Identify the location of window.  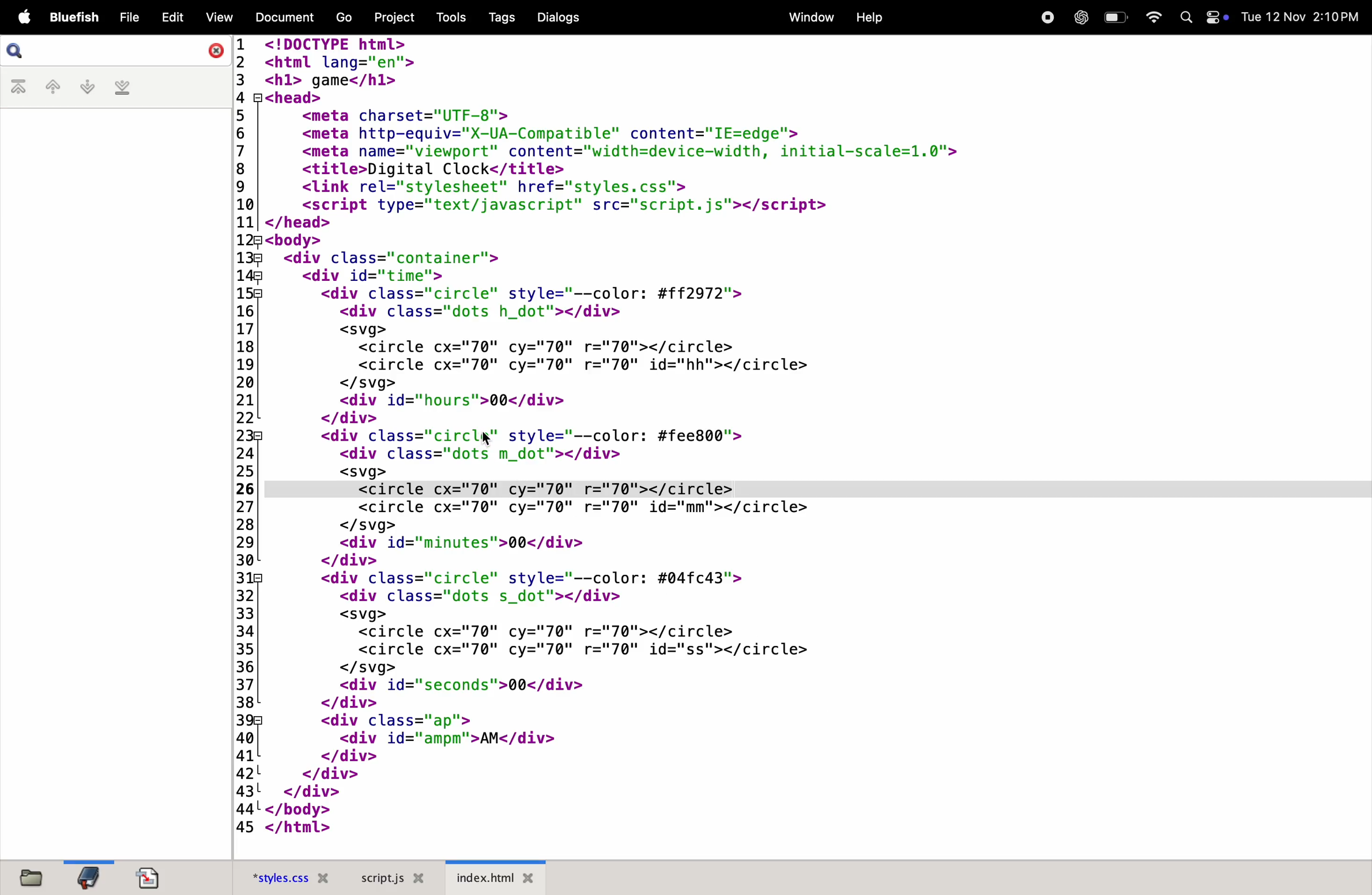
(806, 17).